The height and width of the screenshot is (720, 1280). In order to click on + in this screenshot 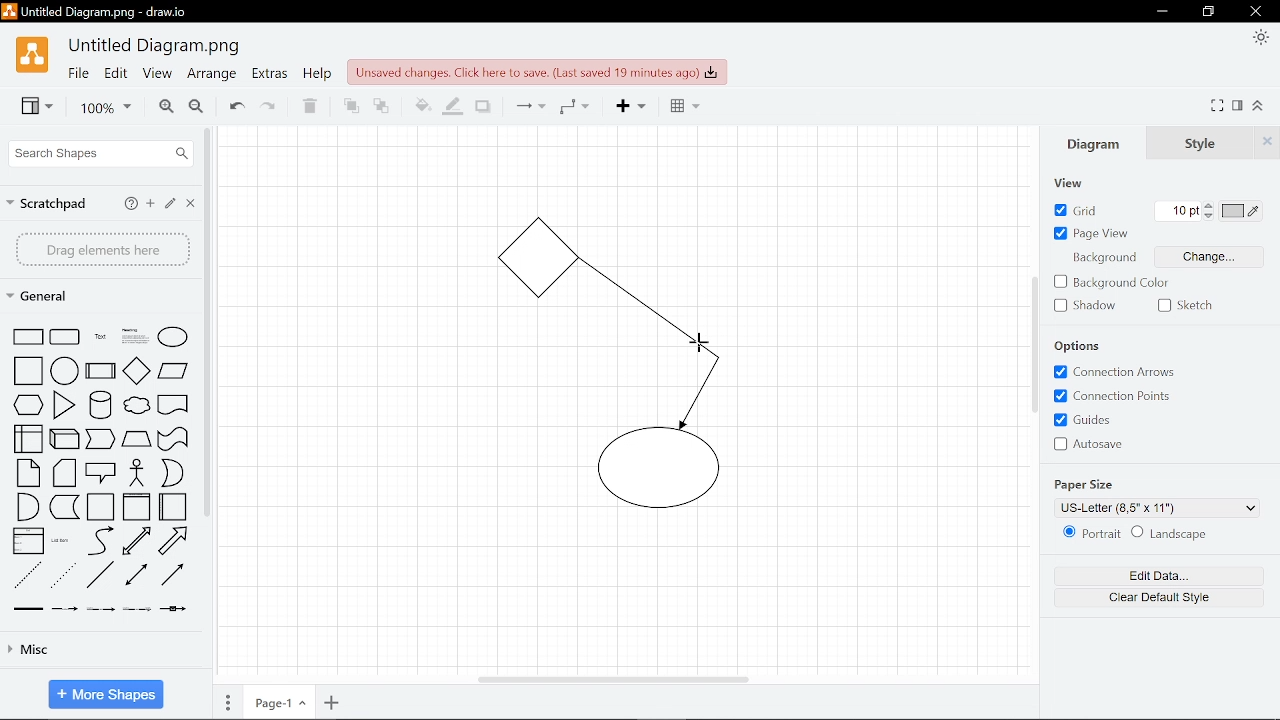, I will do `click(332, 704)`.